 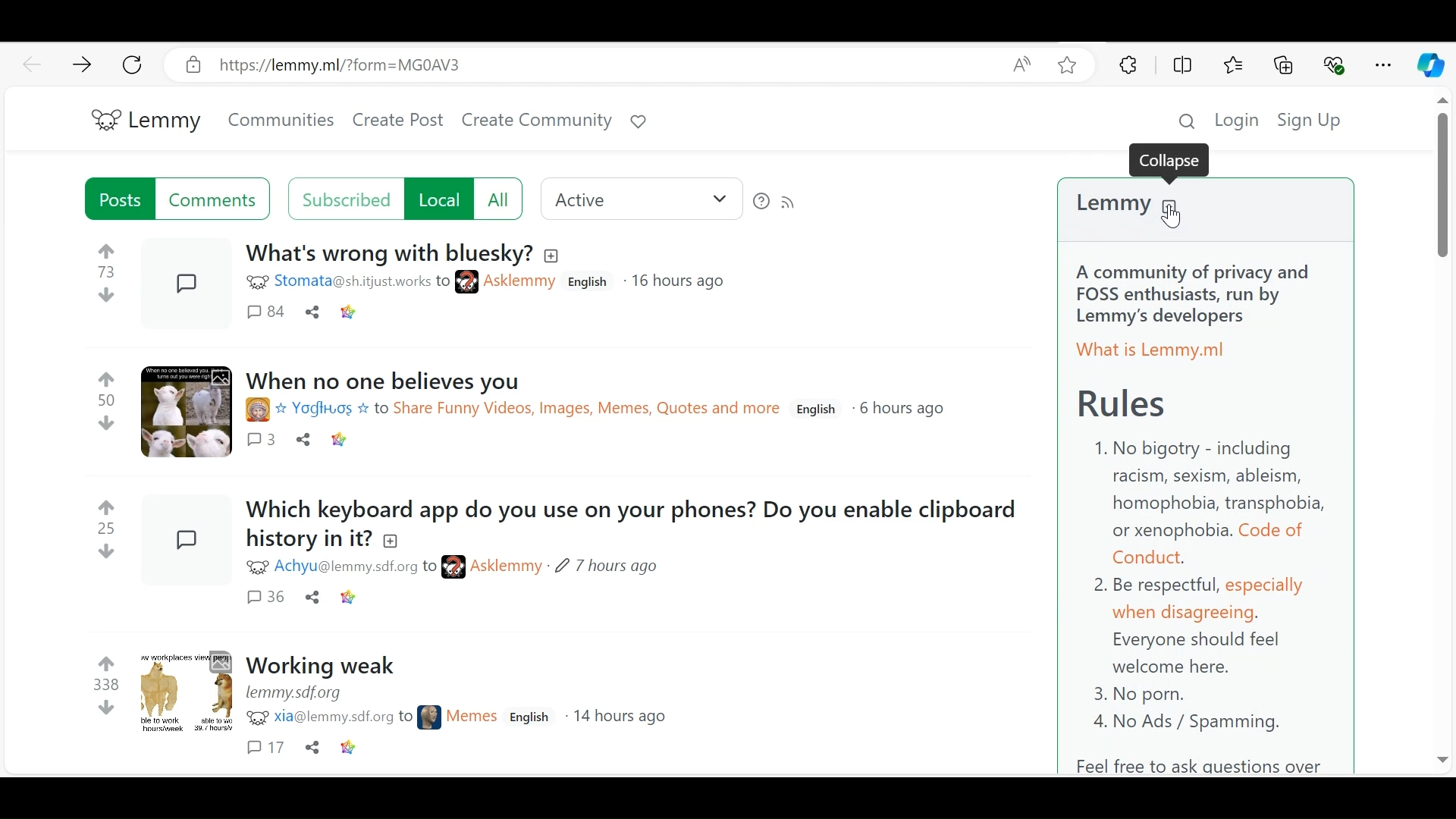 What do you see at coordinates (104, 550) in the screenshot?
I see `downvotes` at bounding box center [104, 550].